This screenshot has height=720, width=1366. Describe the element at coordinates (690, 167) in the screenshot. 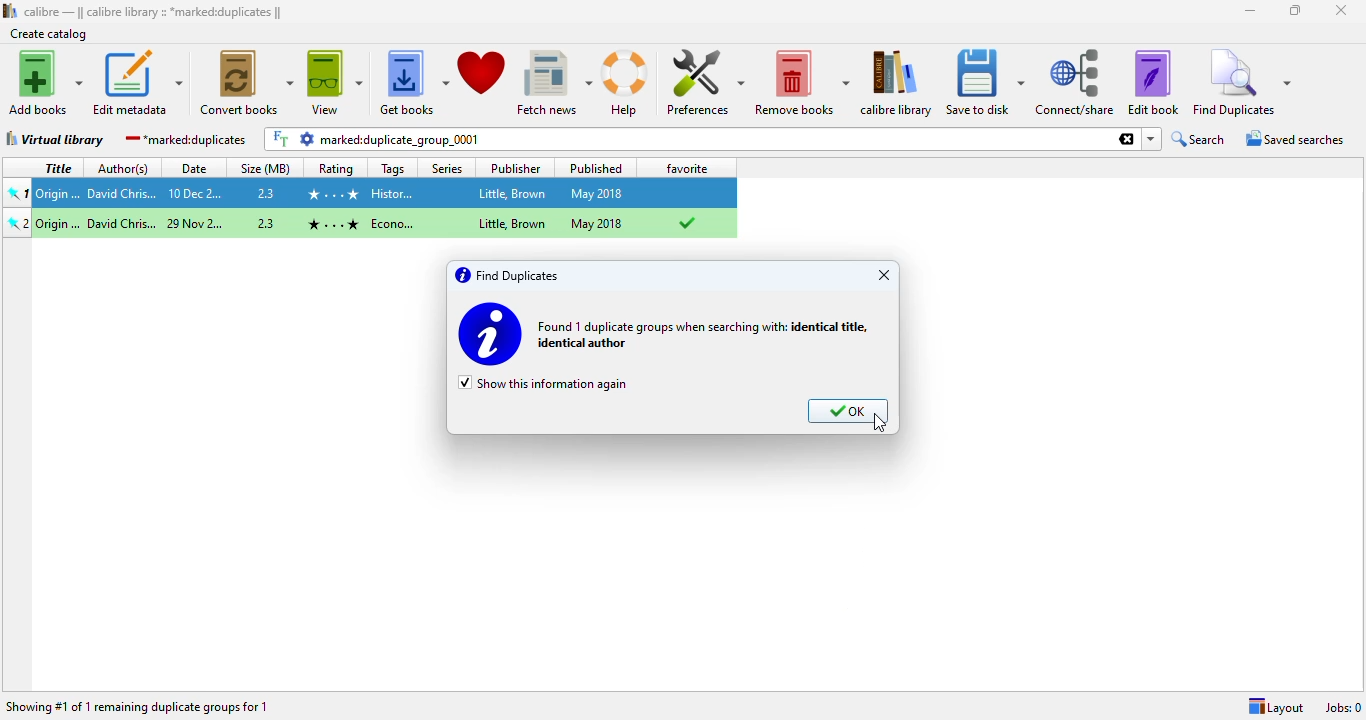

I see `favorite` at that location.